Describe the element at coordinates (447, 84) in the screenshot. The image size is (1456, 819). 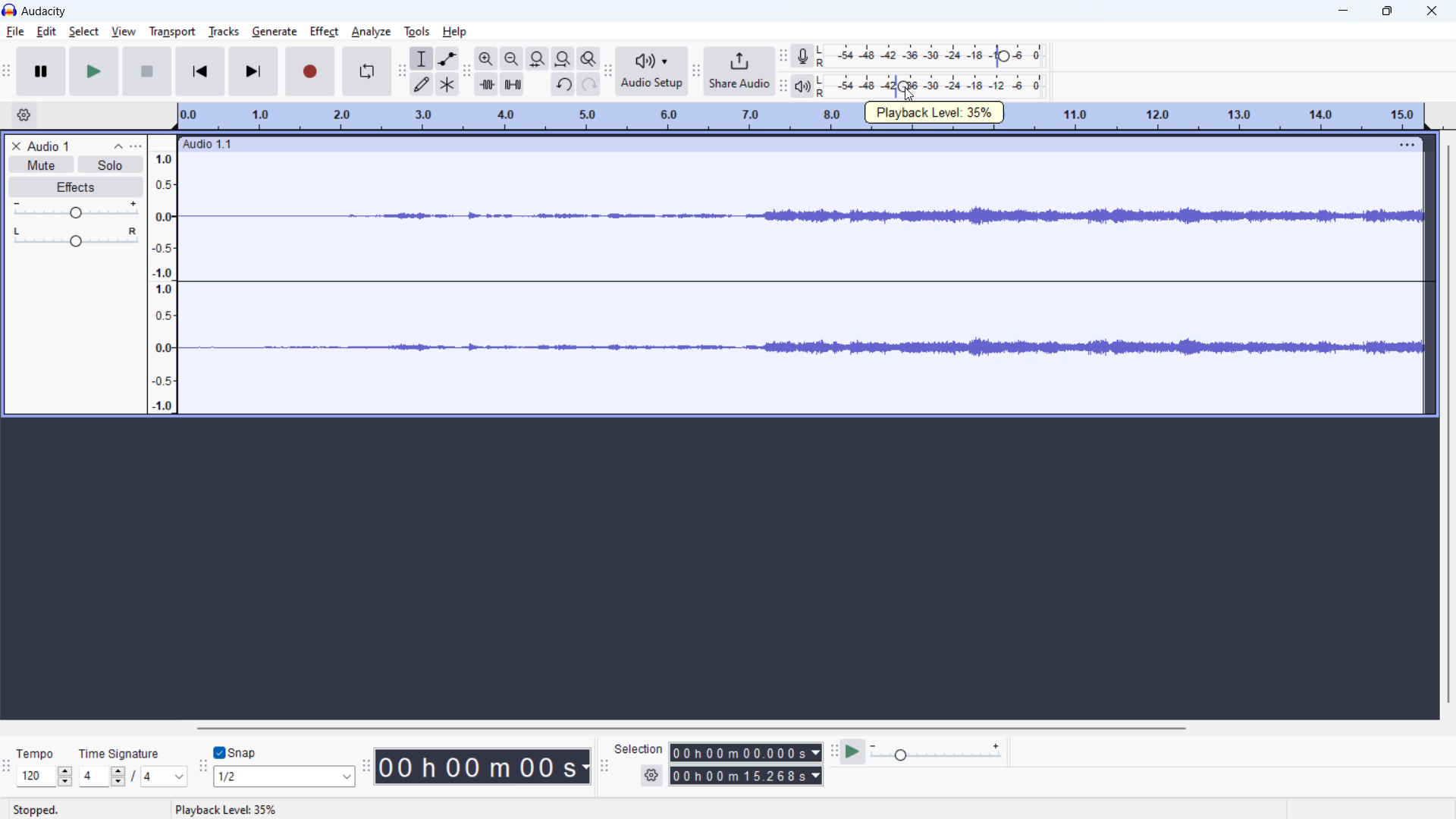
I see `multi tool` at that location.